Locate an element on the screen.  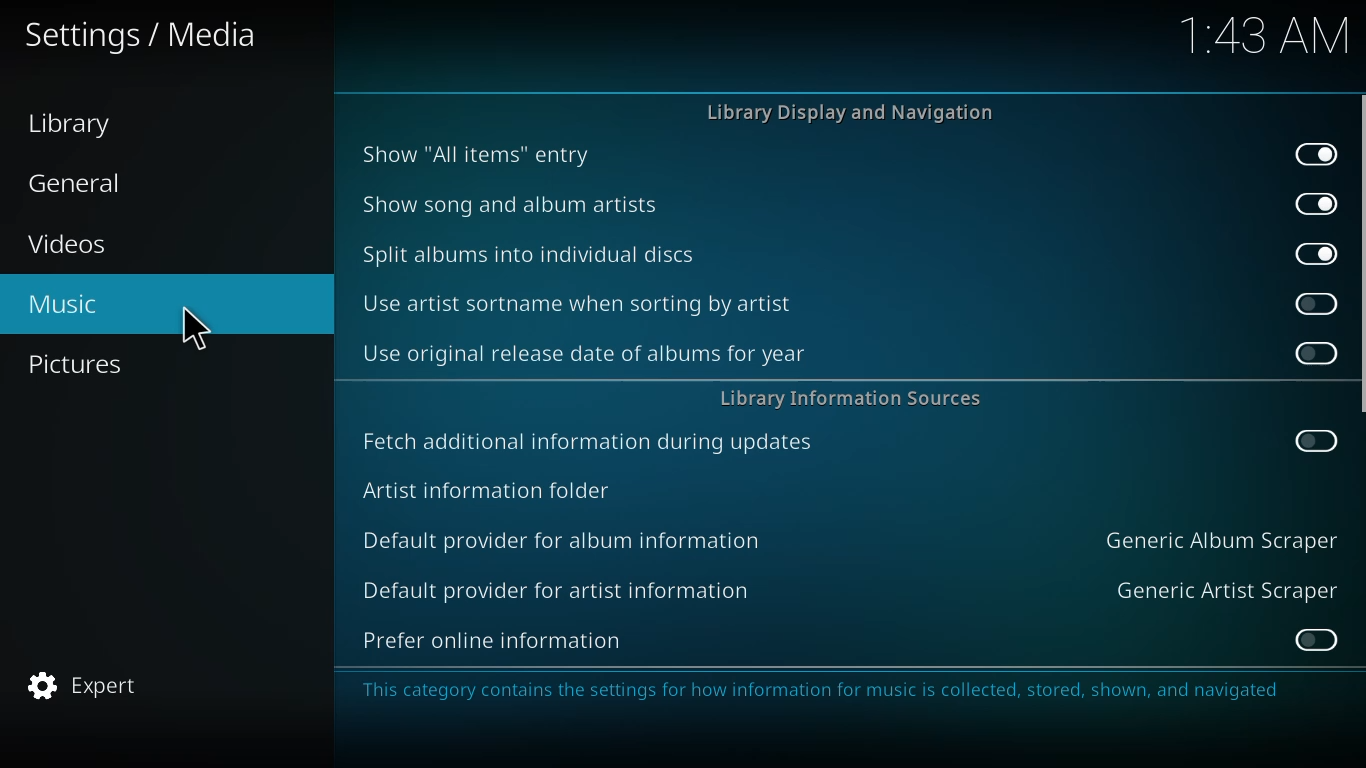
general is located at coordinates (85, 182).